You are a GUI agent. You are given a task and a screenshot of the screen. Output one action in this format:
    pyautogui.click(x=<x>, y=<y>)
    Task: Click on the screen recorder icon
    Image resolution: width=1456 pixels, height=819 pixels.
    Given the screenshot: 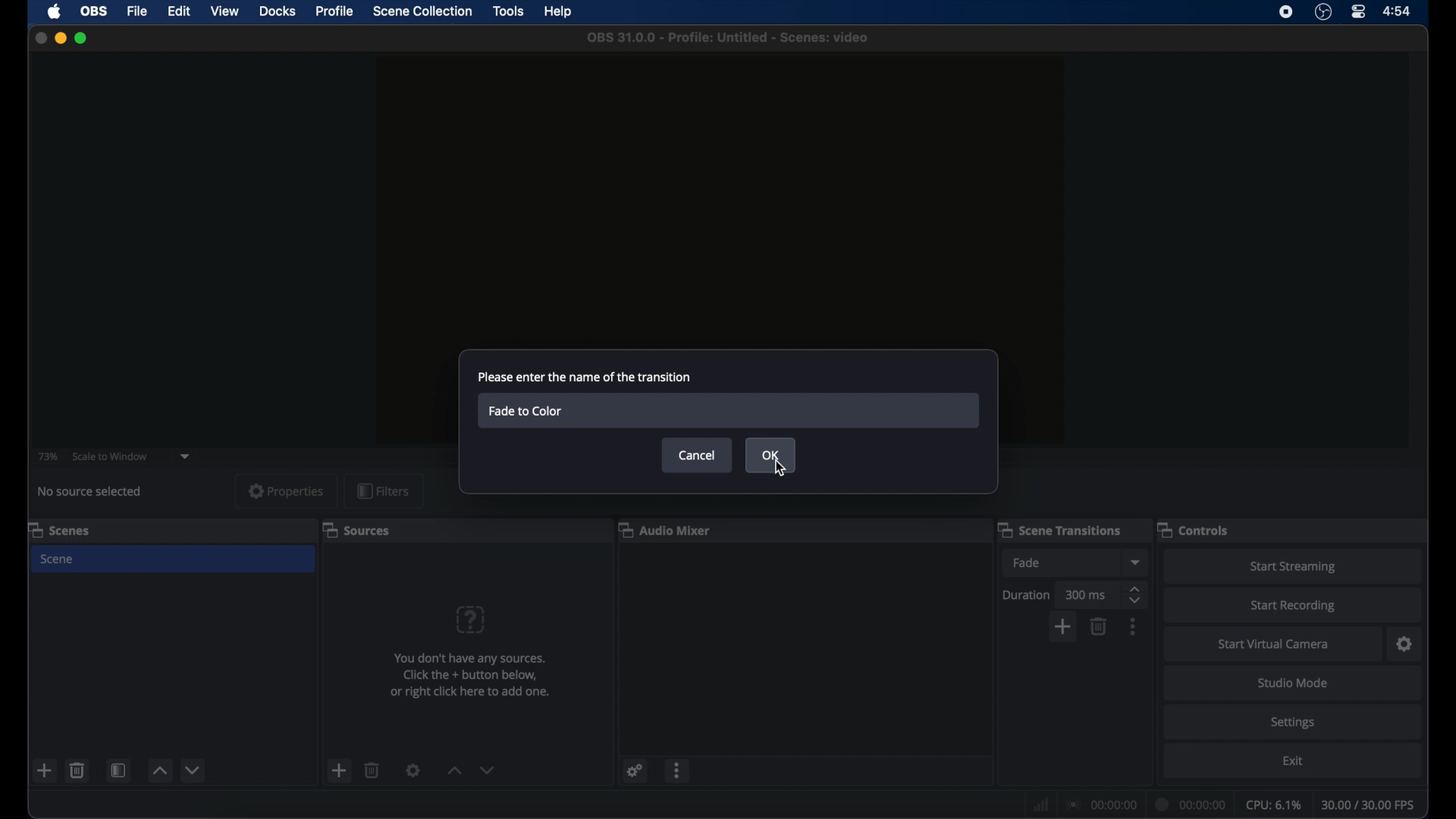 What is the action you would take?
    pyautogui.click(x=1286, y=12)
    